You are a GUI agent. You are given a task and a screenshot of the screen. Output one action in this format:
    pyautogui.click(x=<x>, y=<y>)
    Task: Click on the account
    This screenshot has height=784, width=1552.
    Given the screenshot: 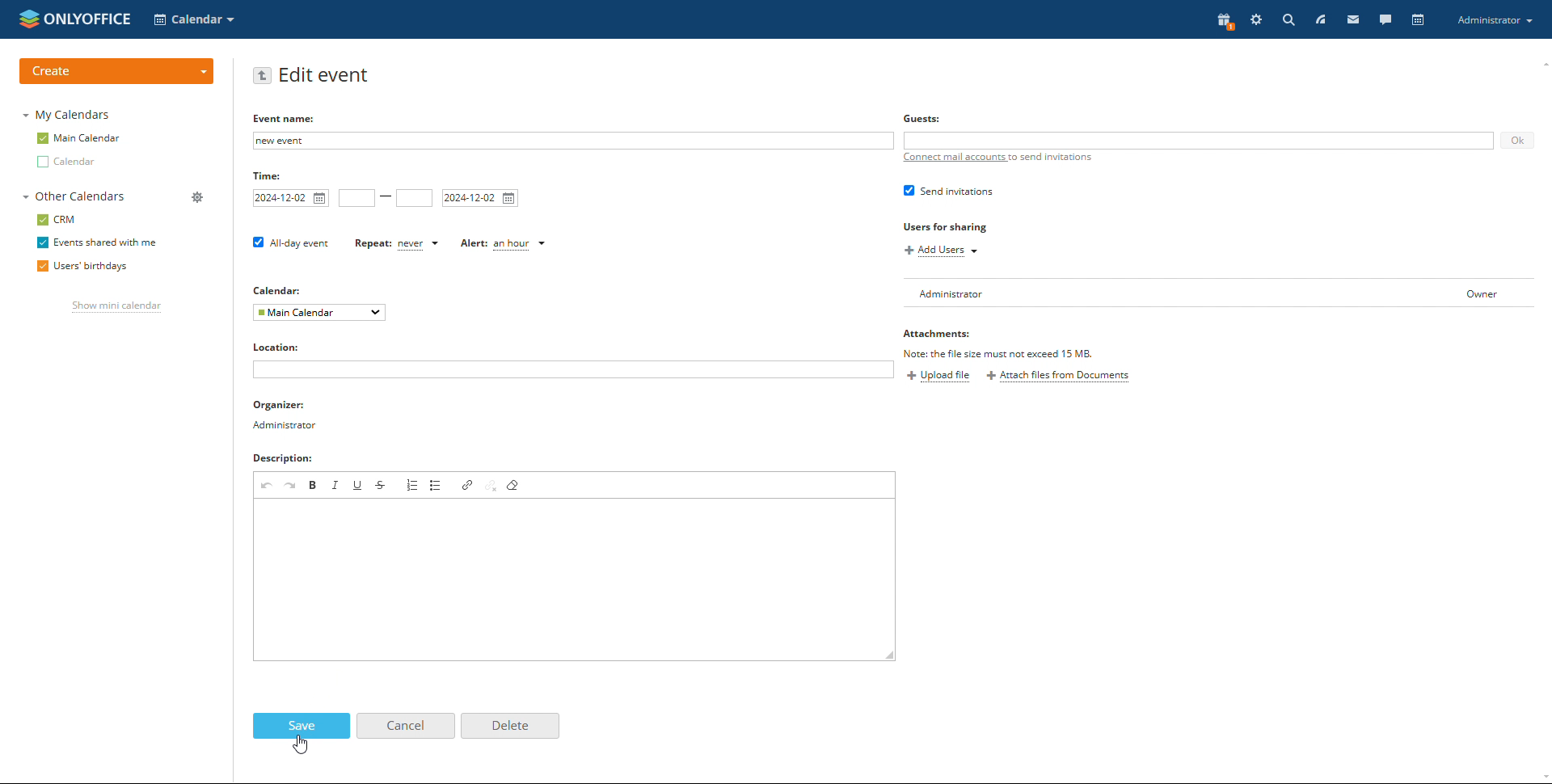 What is the action you would take?
    pyautogui.click(x=1494, y=20)
    